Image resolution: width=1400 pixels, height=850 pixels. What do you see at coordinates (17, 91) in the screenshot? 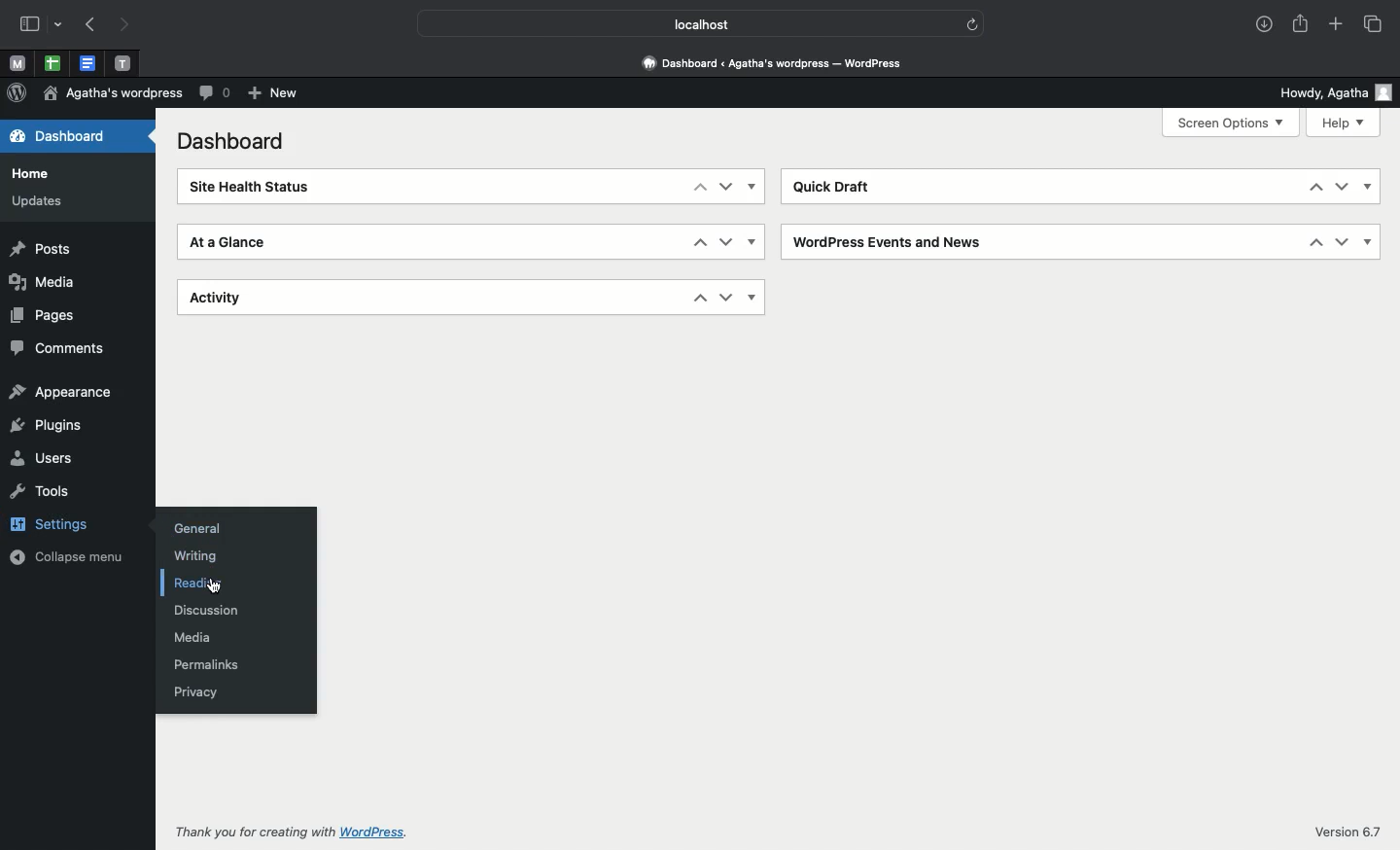
I see `Wordpress` at bounding box center [17, 91].